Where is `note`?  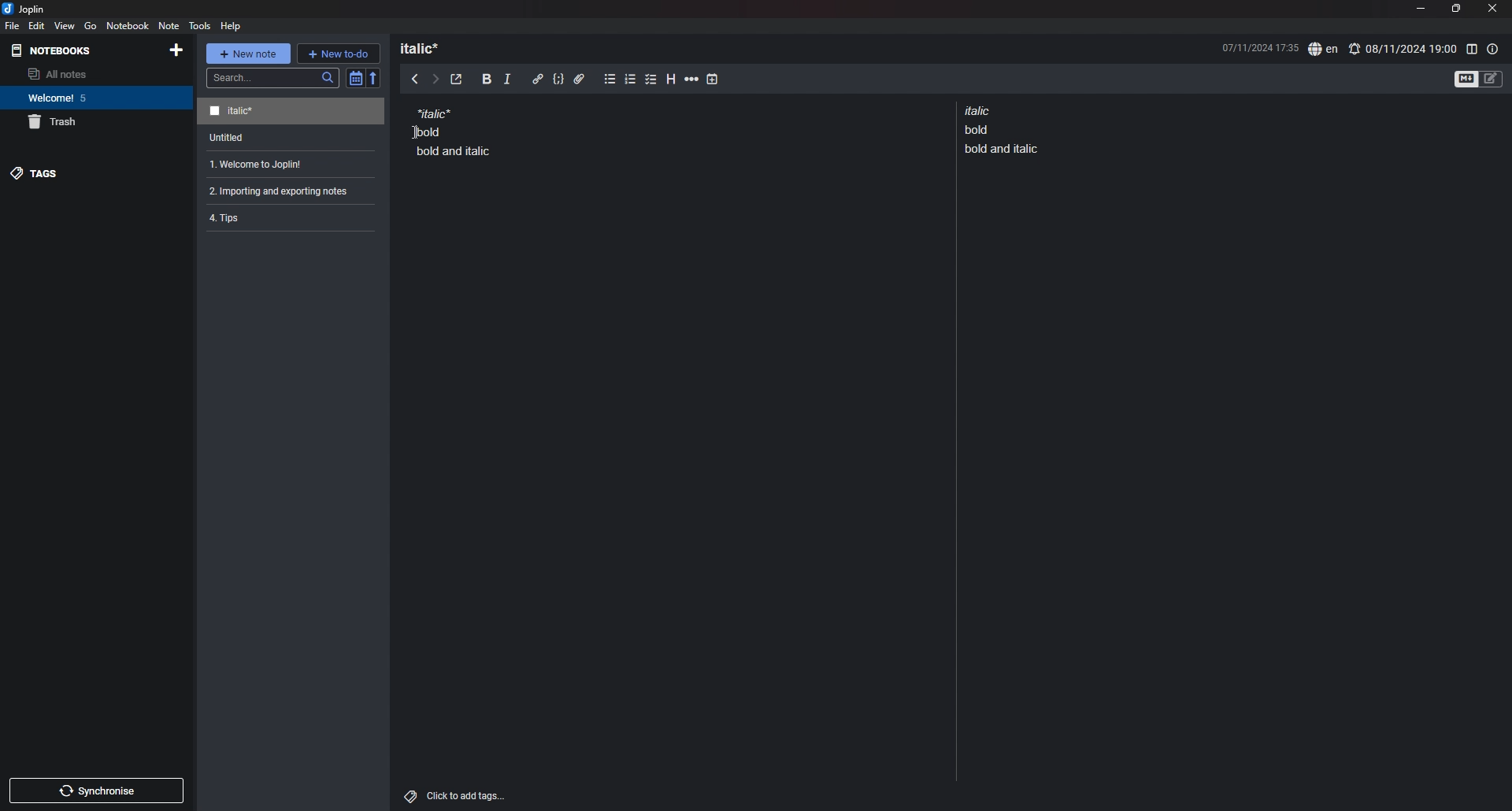 note is located at coordinates (168, 25).